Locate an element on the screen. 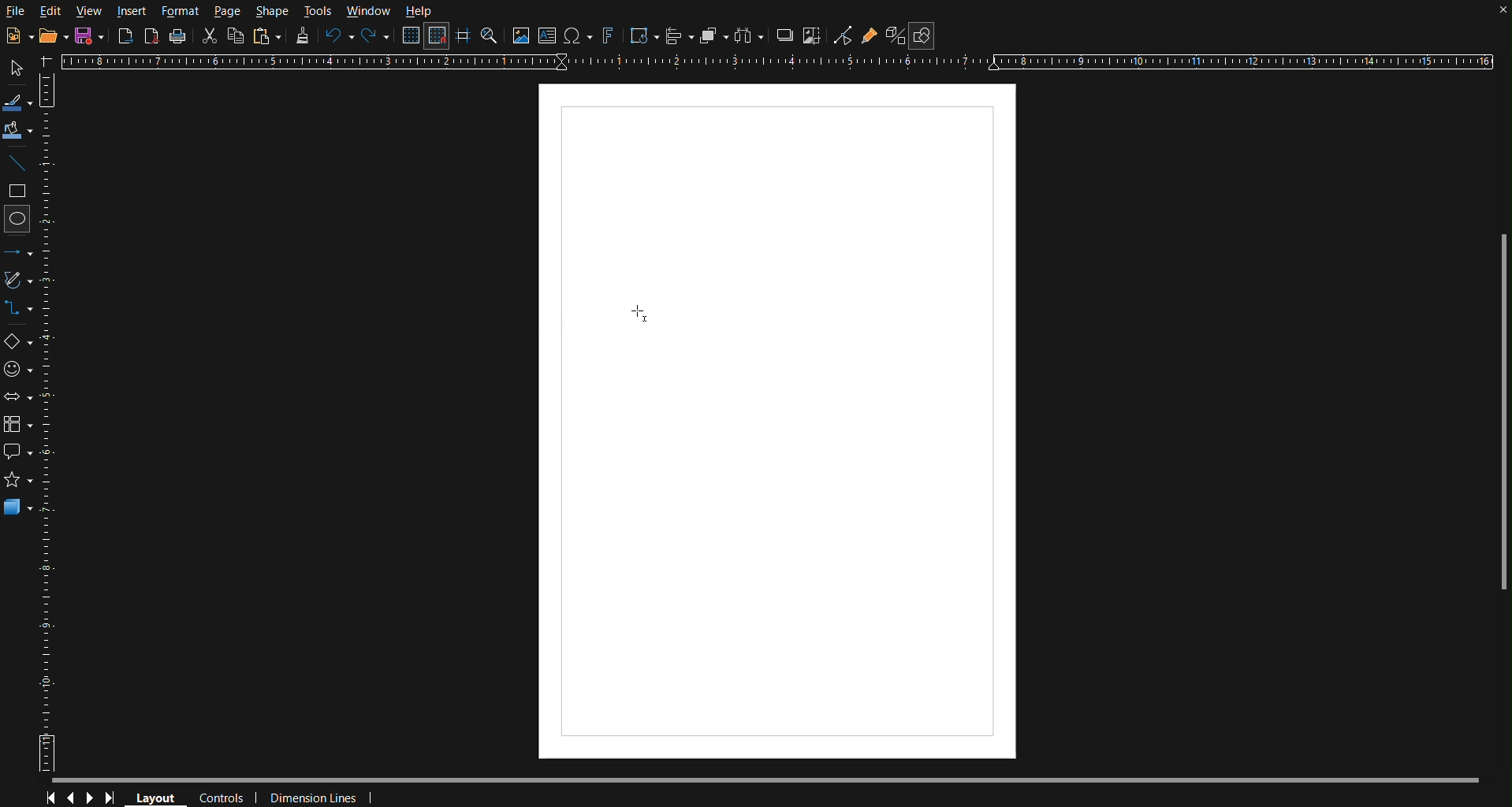 The width and height of the screenshot is (1512, 807). Controls is located at coordinates (82, 796).